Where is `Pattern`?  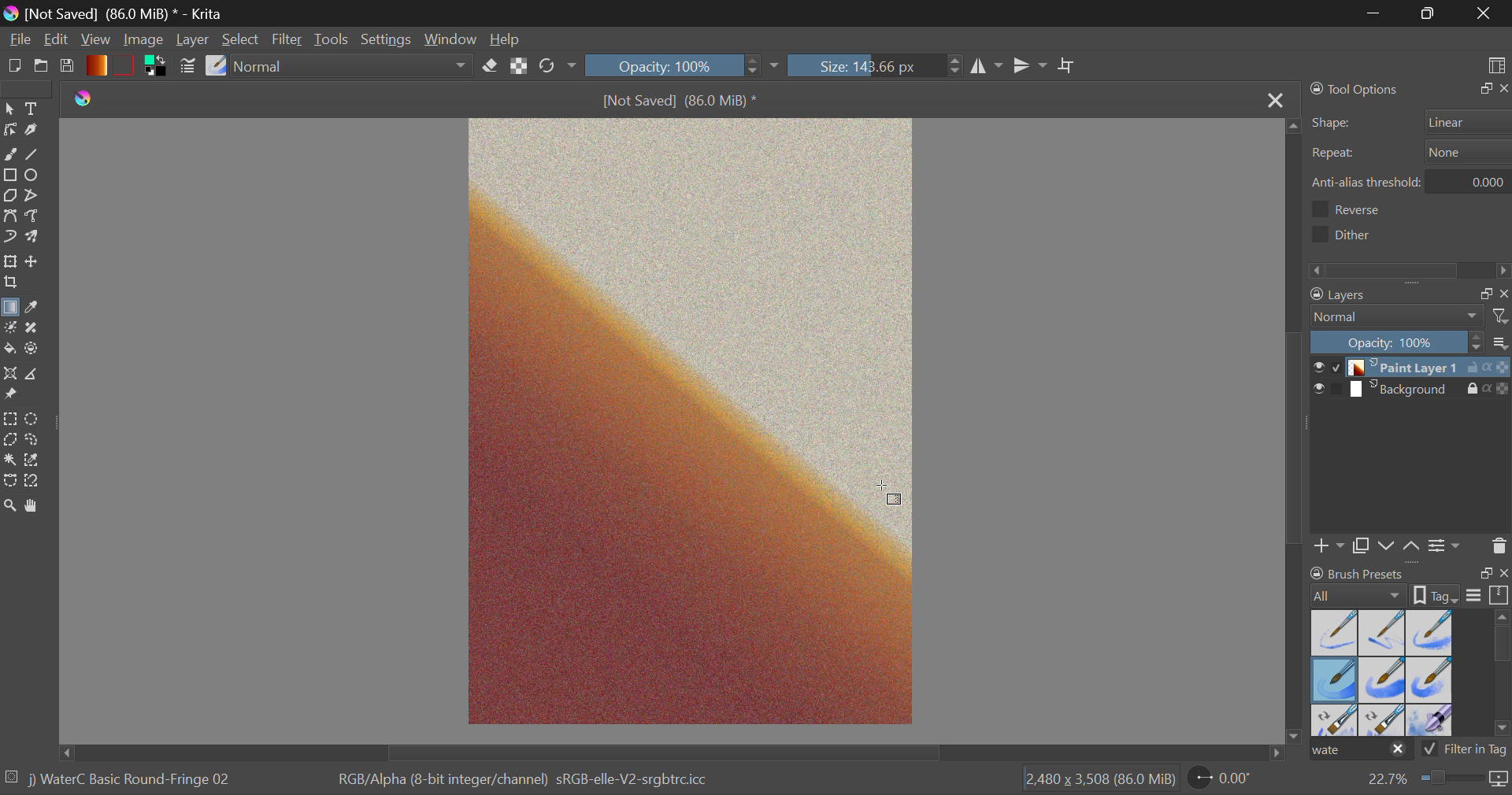 Pattern is located at coordinates (126, 64).